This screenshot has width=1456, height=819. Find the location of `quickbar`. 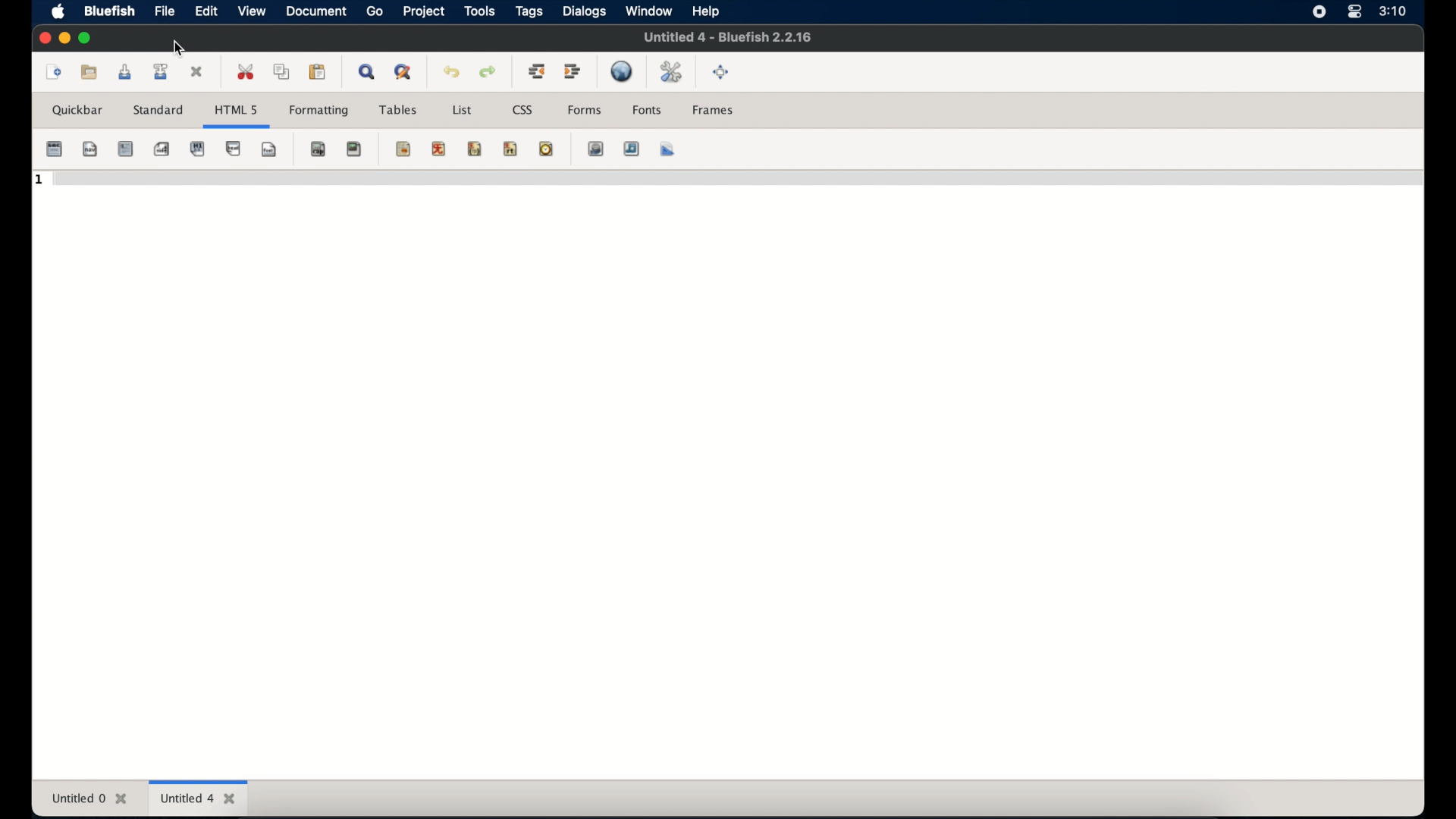

quickbar is located at coordinates (79, 110).